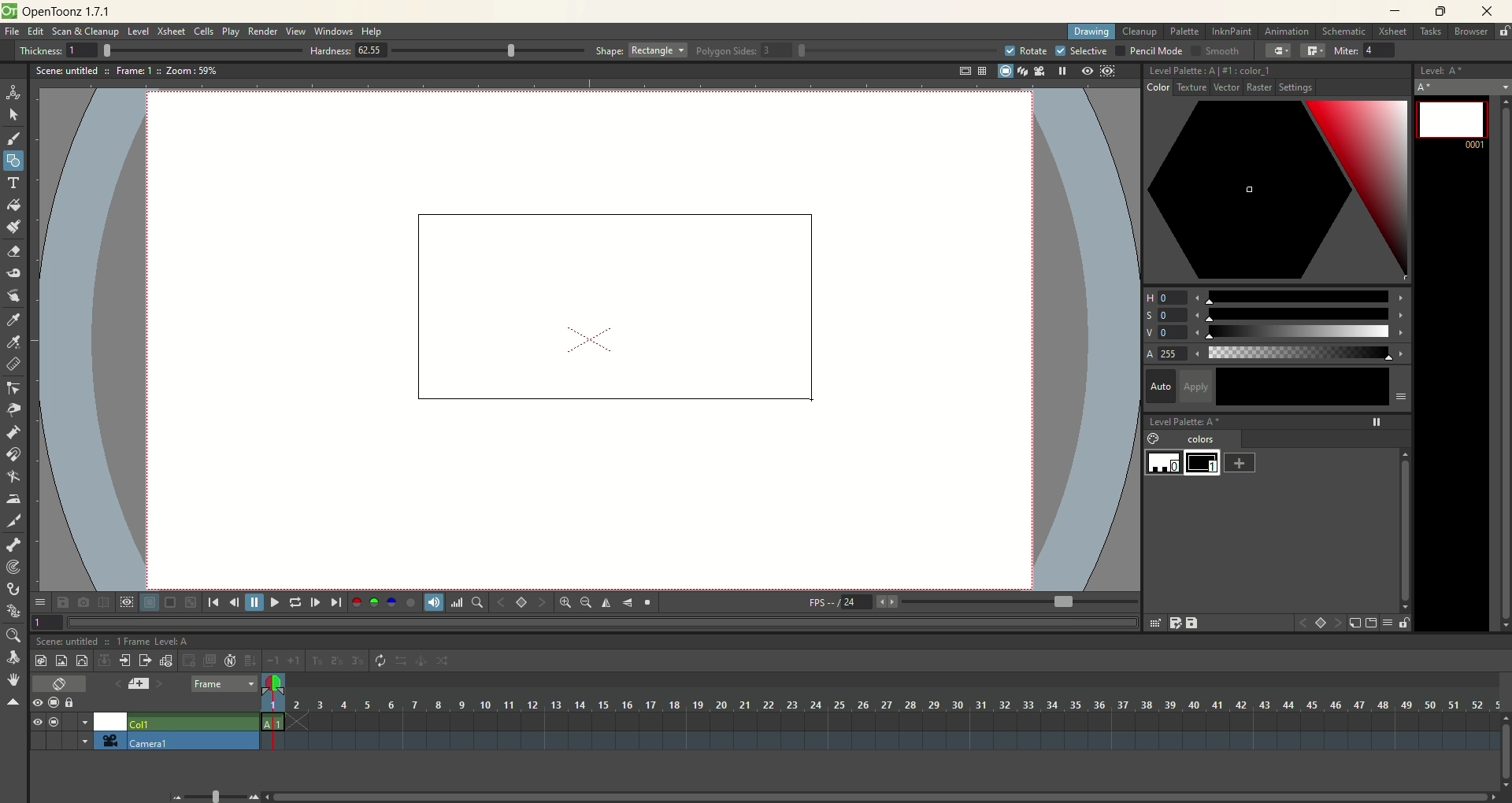 This screenshot has height=803, width=1512. What do you see at coordinates (1195, 440) in the screenshot?
I see `colors` at bounding box center [1195, 440].